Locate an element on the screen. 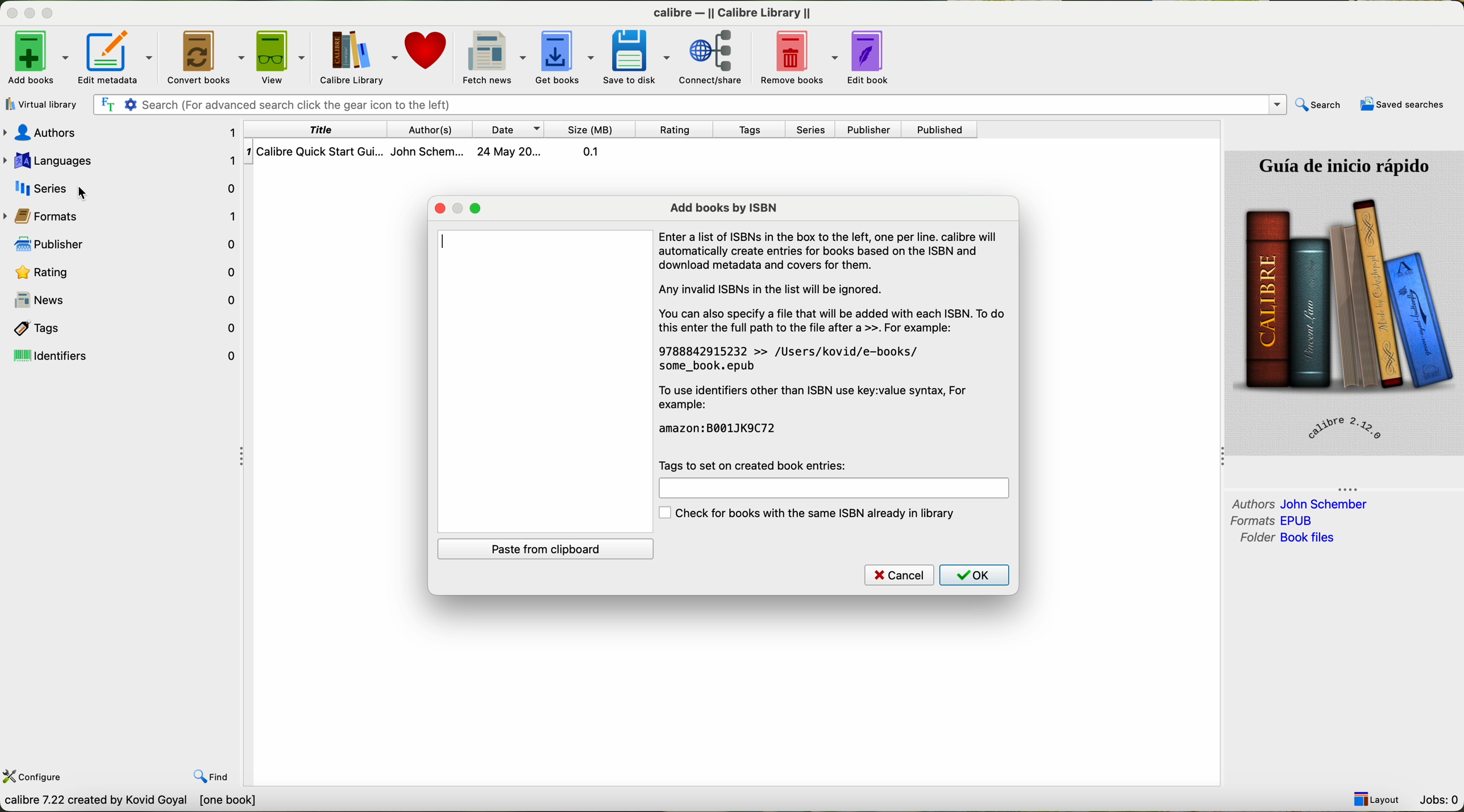 This screenshot has height=812, width=1464. folder is located at coordinates (1286, 539).